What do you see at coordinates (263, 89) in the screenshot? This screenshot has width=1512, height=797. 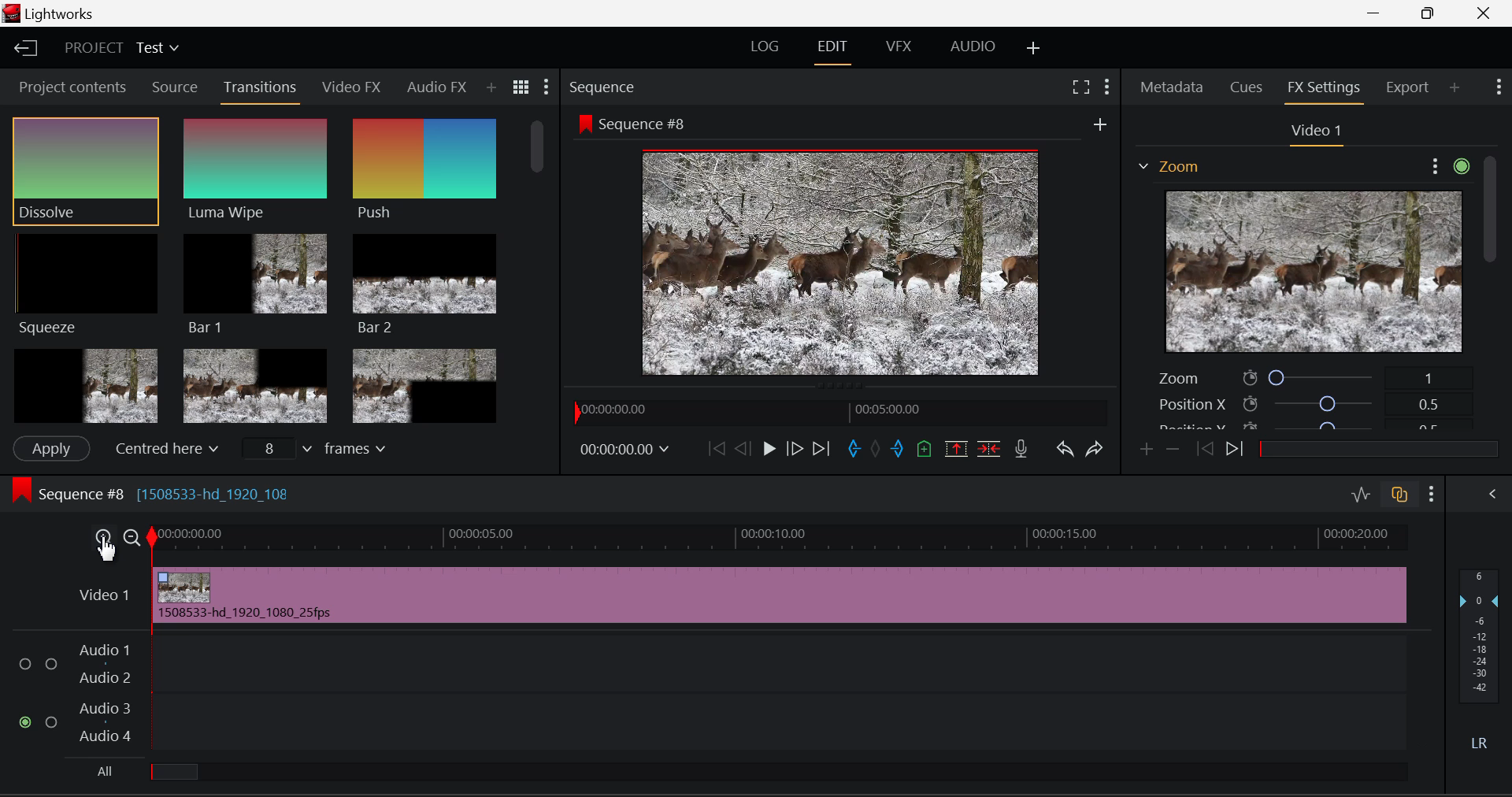 I see `Transitions` at bounding box center [263, 89].